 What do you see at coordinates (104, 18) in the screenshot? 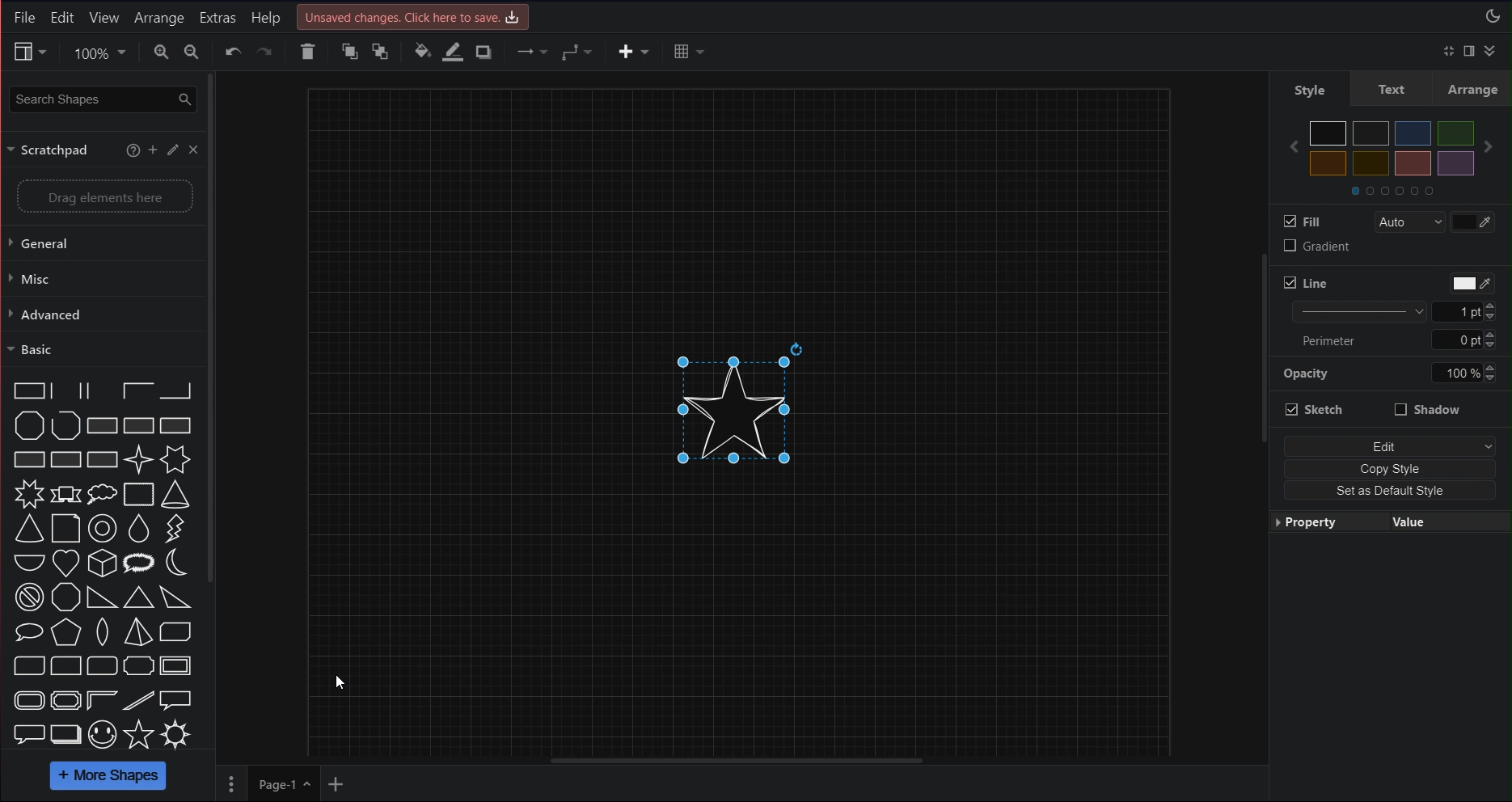
I see `View` at bounding box center [104, 18].